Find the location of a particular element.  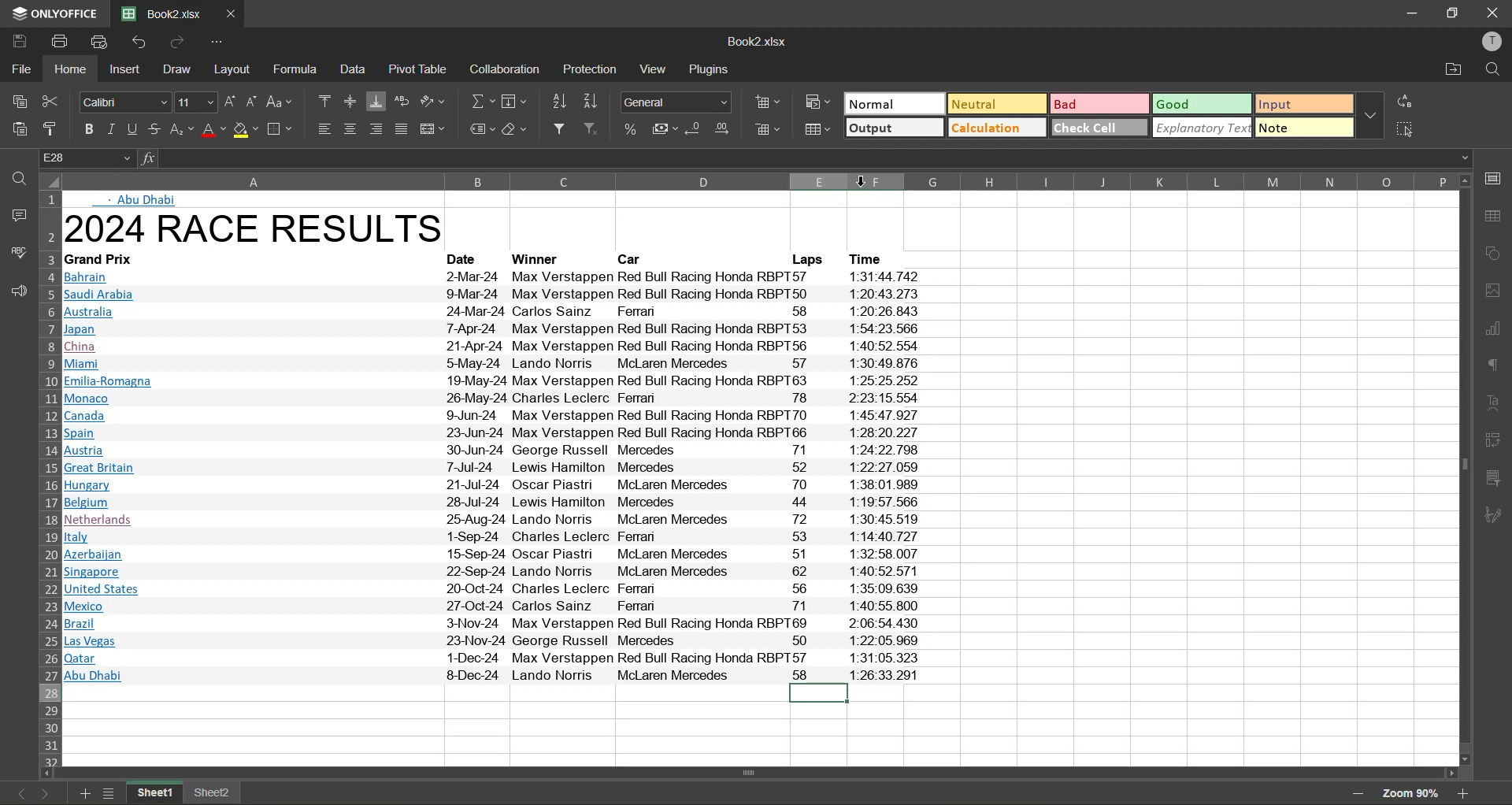

pivot table is located at coordinates (1497, 442).